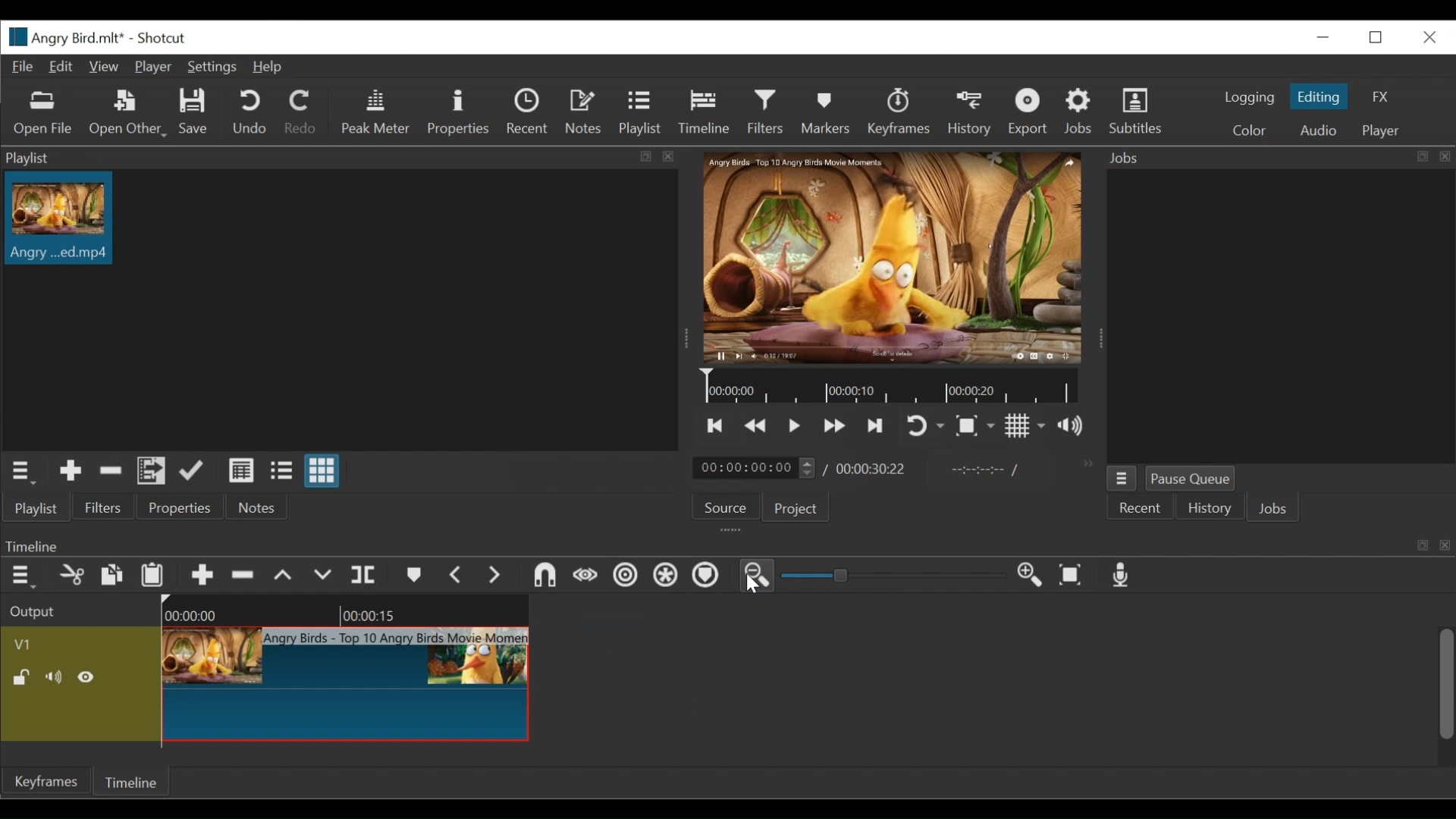  I want to click on Remove cut, so click(111, 472).